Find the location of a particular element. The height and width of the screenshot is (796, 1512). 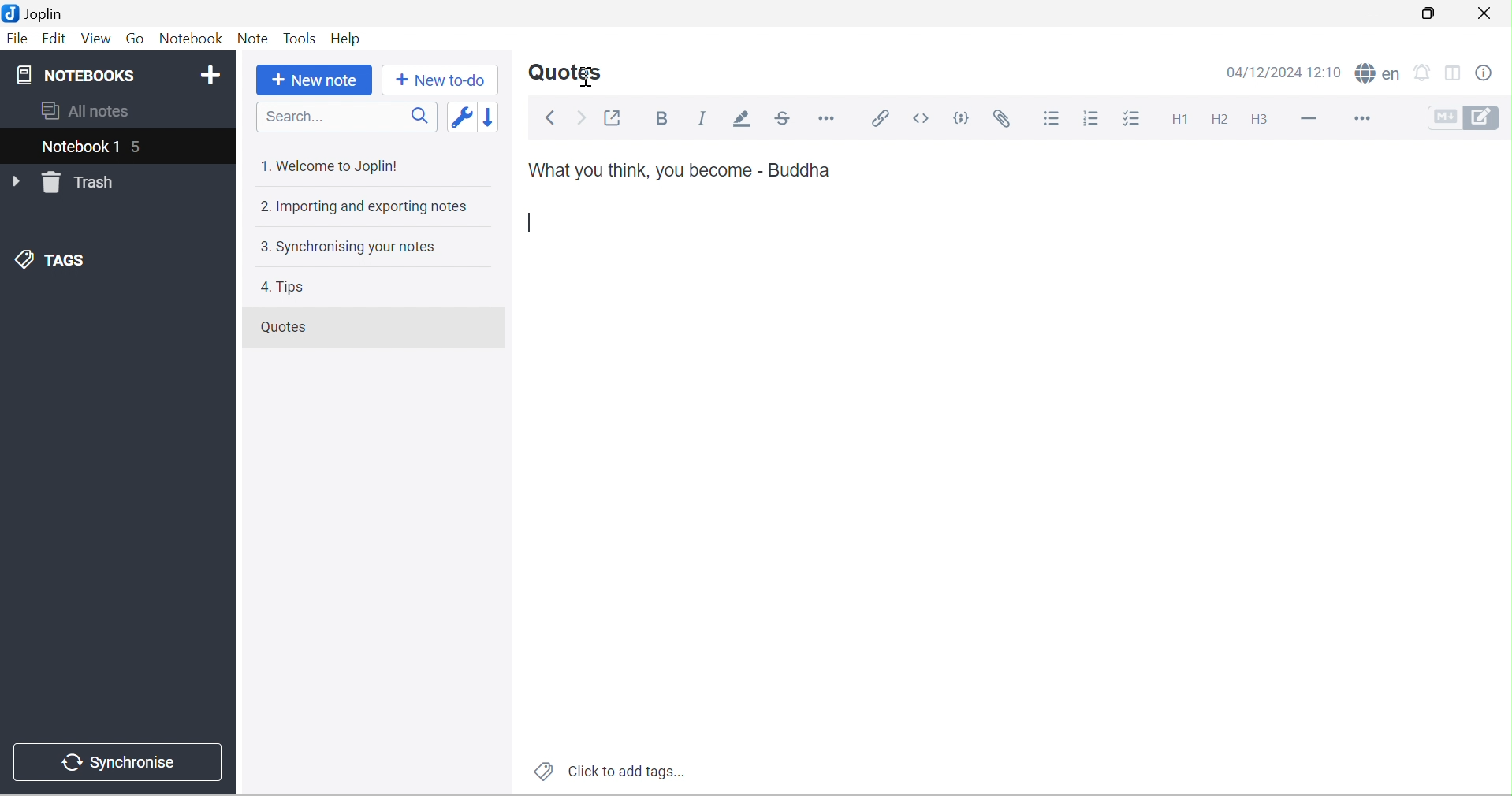

Bulleted list is located at coordinates (1052, 121).